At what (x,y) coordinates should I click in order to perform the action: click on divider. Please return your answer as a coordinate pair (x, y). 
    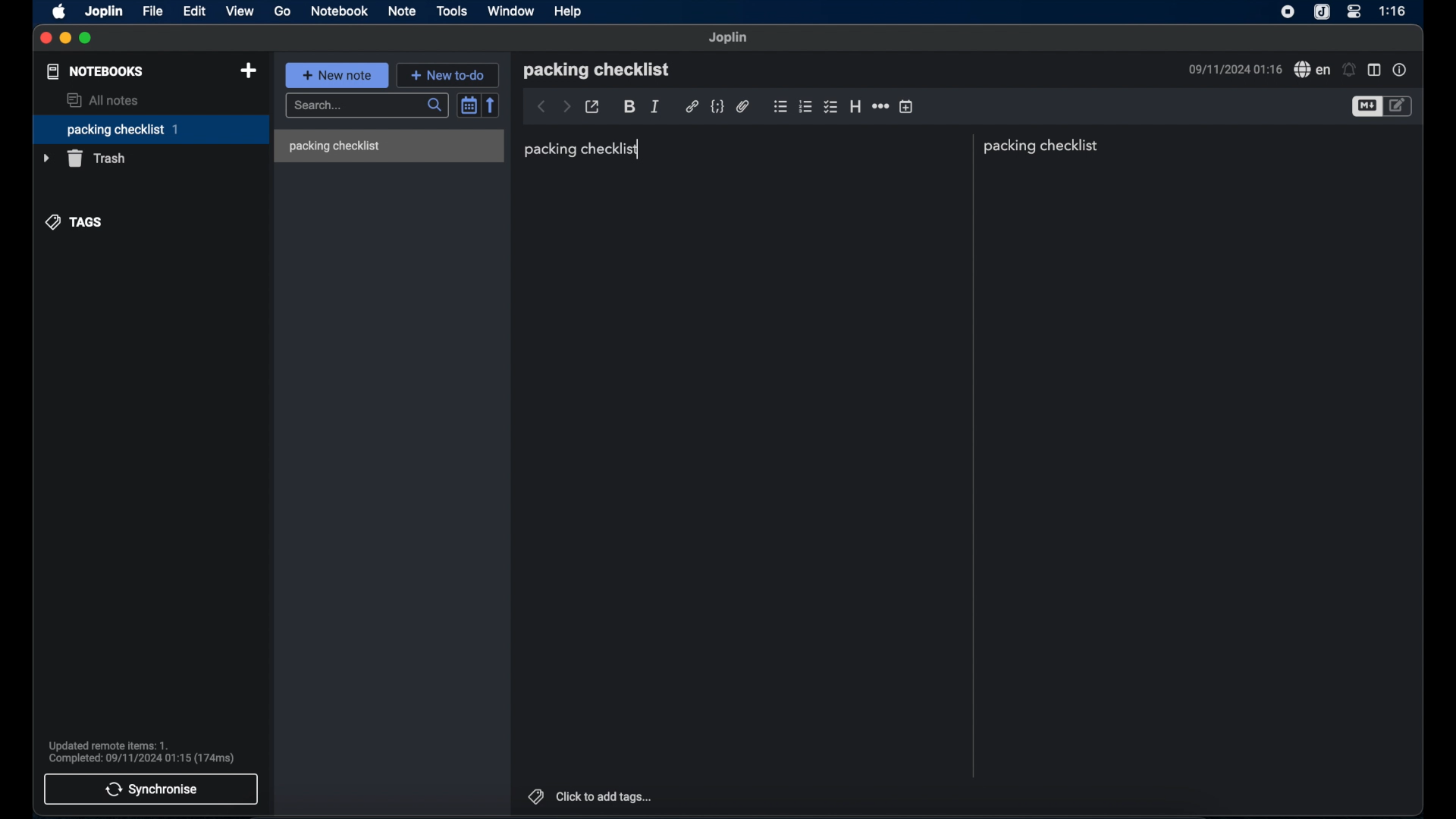
    Looking at the image, I should click on (971, 456).